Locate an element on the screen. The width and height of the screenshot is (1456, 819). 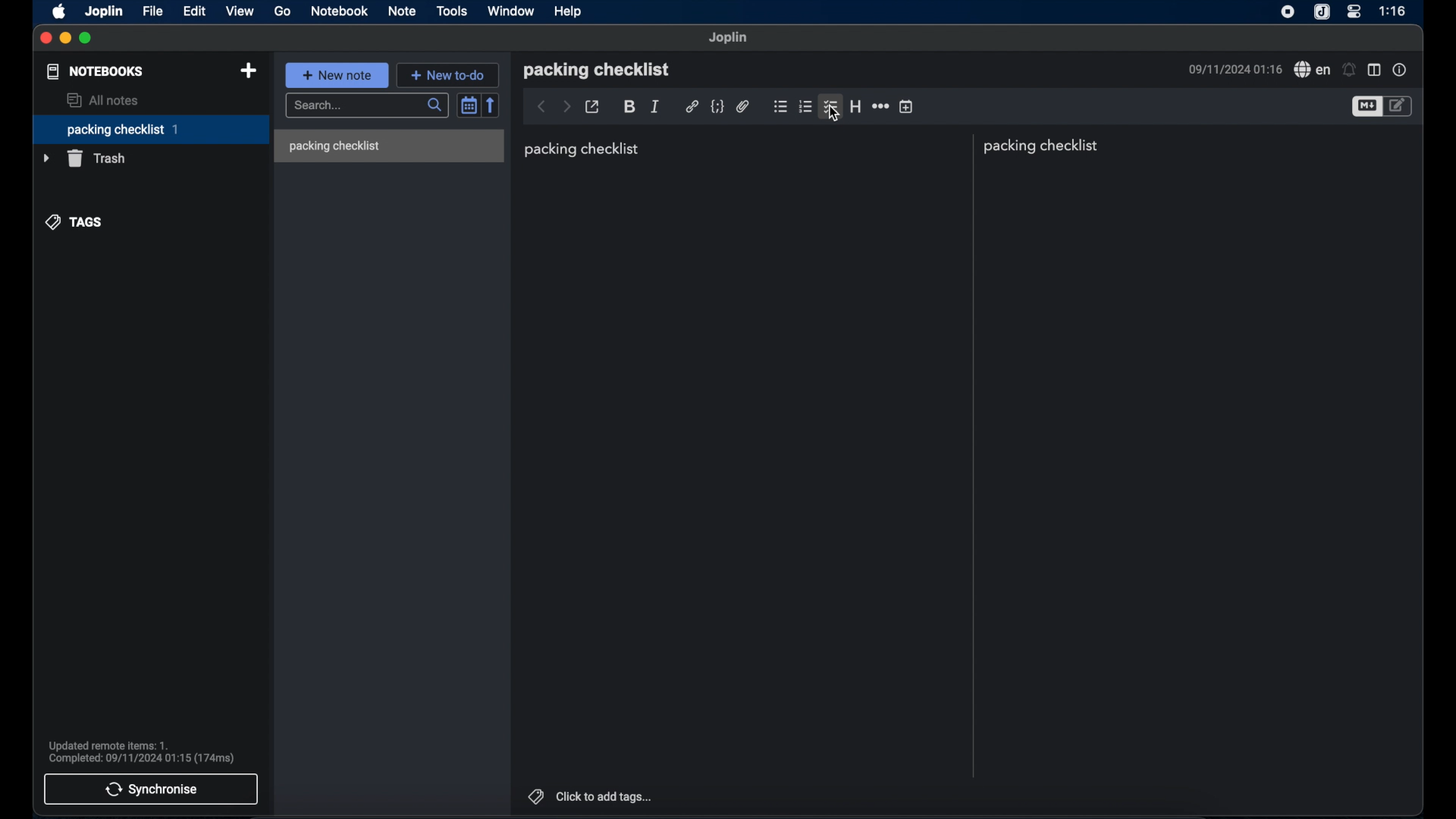
click to add tags is located at coordinates (591, 795).